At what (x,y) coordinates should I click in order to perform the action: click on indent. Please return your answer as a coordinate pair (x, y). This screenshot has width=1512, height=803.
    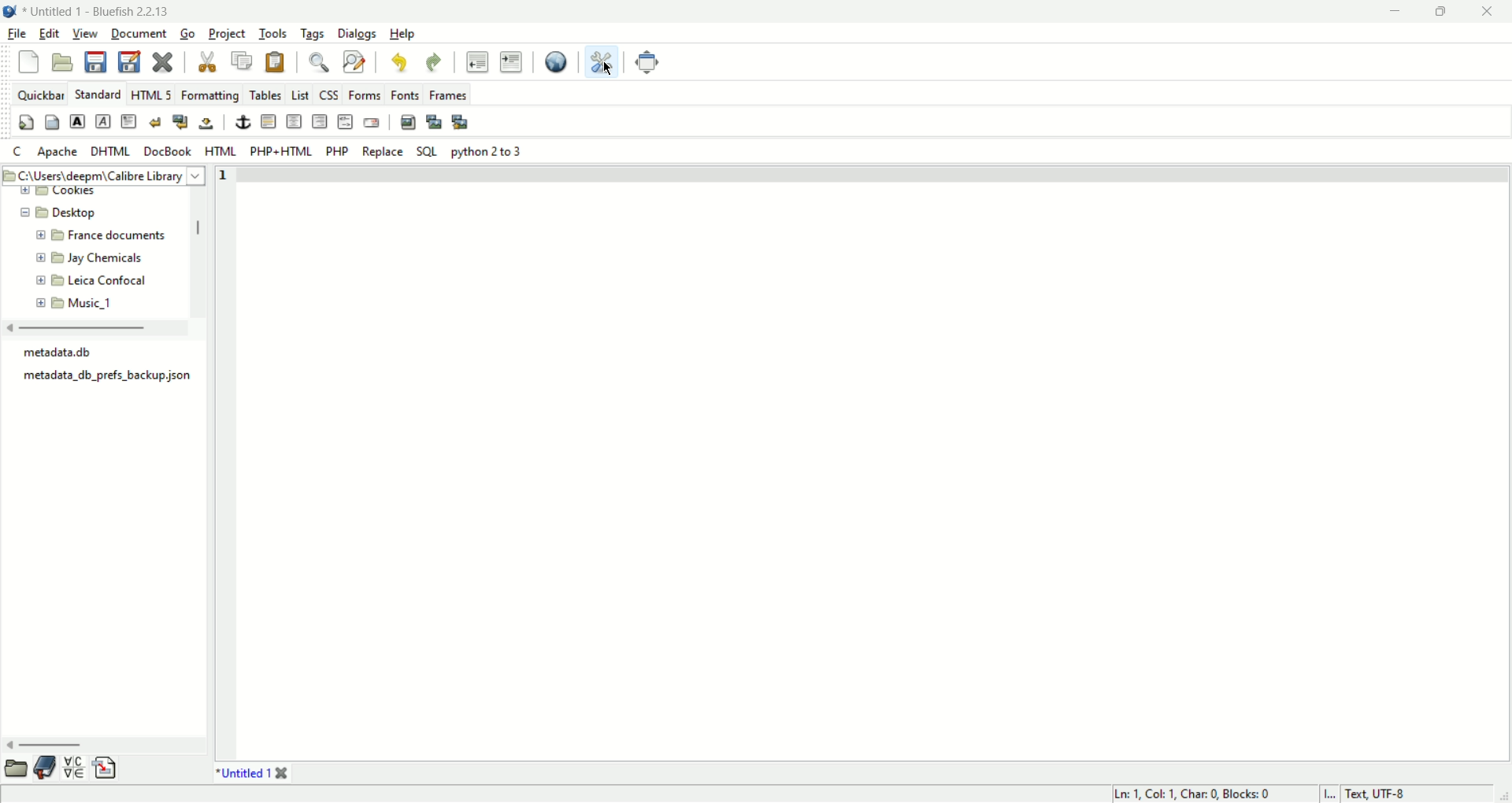
    Looking at the image, I should click on (510, 61).